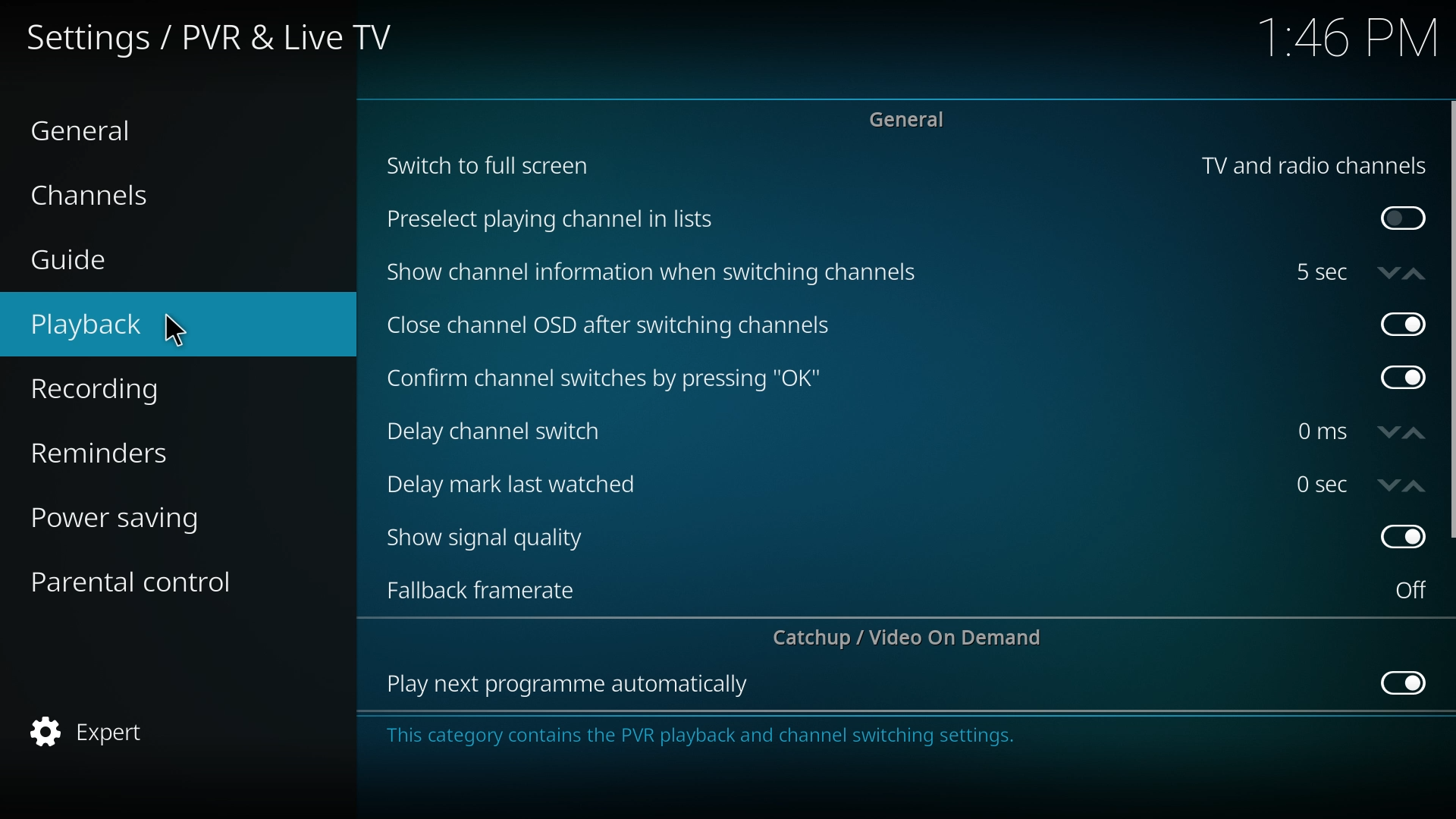 Image resolution: width=1456 pixels, height=819 pixels. I want to click on decrease time, so click(1389, 271).